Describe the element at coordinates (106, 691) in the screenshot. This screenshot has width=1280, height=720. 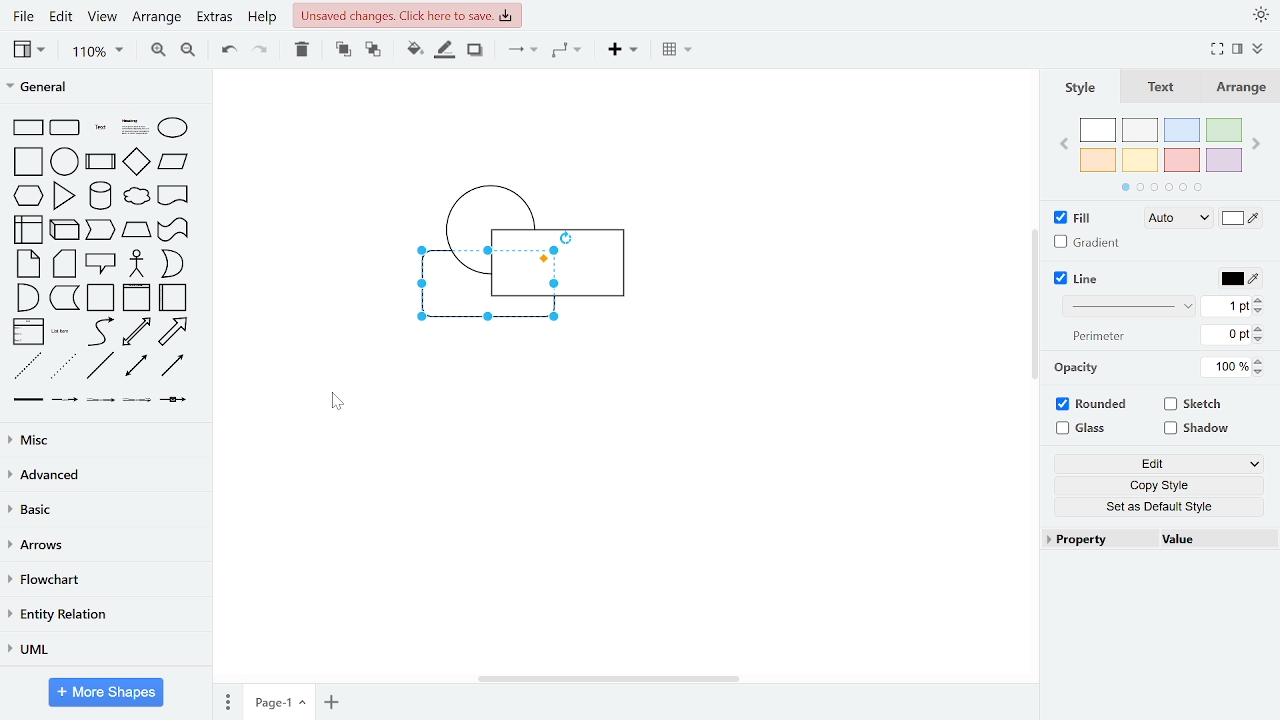
I see `More shapes` at that location.